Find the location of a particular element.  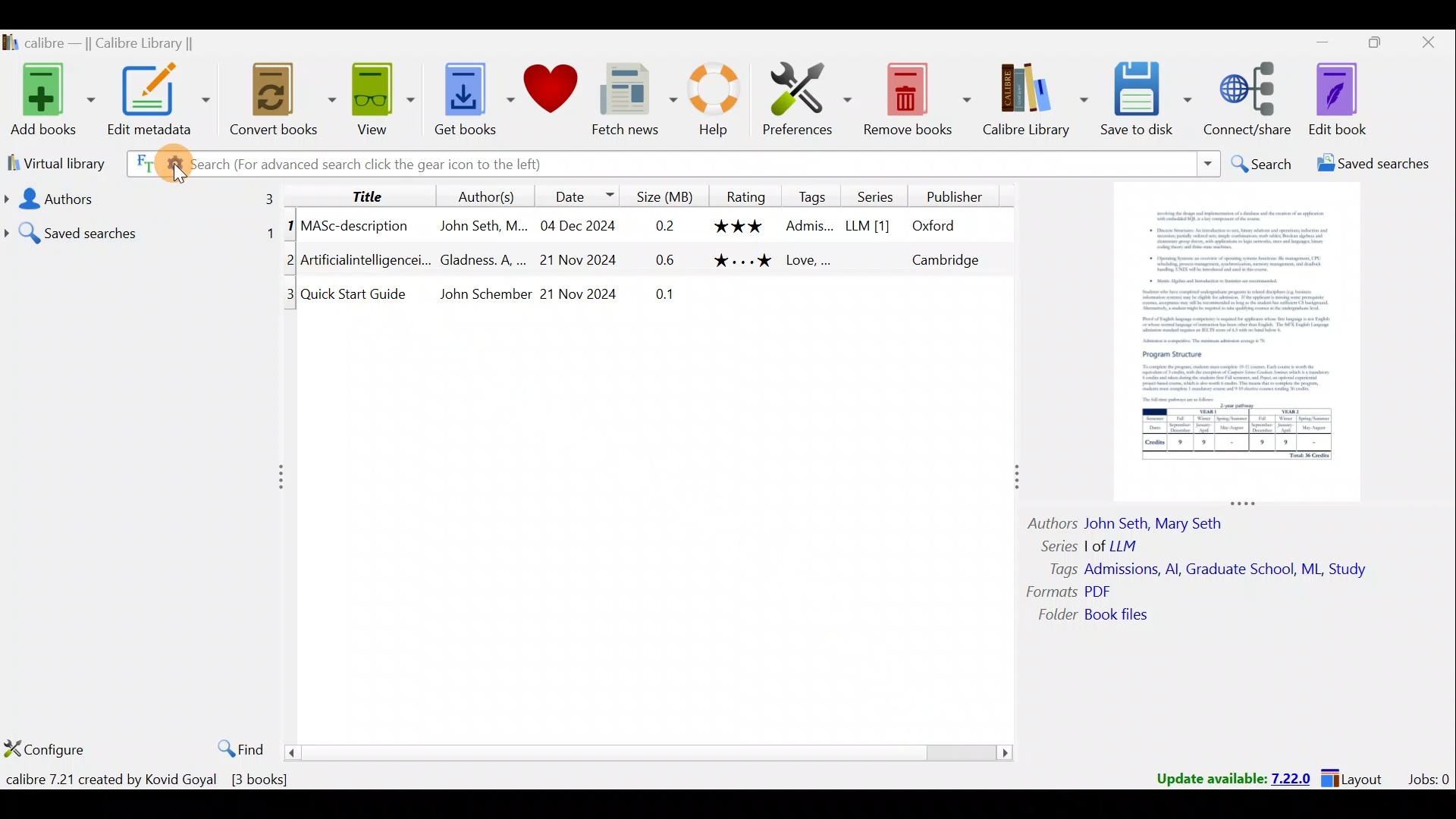

xxx is located at coordinates (740, 226).